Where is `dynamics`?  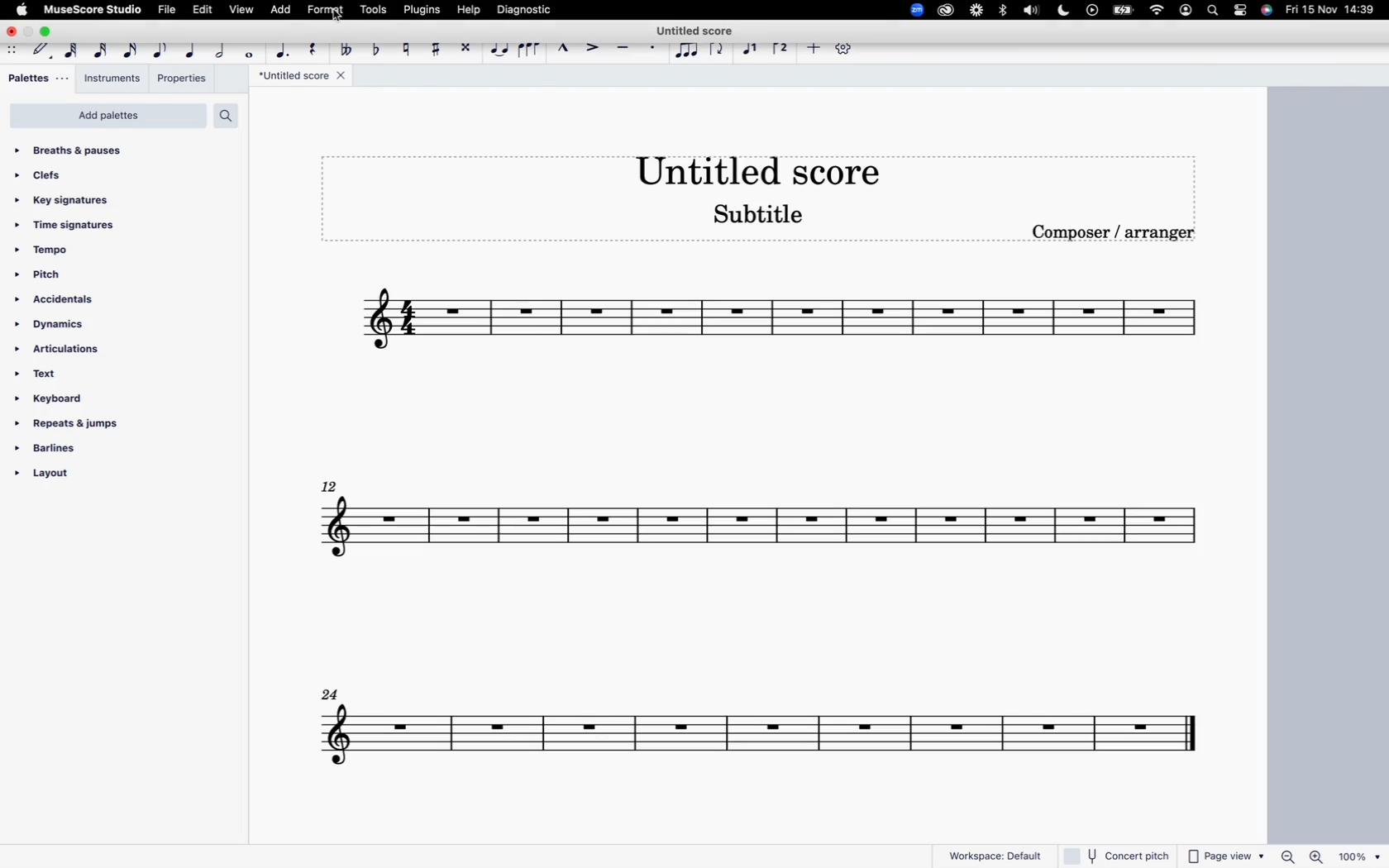
dynamics is located at coordinates (53, 326).